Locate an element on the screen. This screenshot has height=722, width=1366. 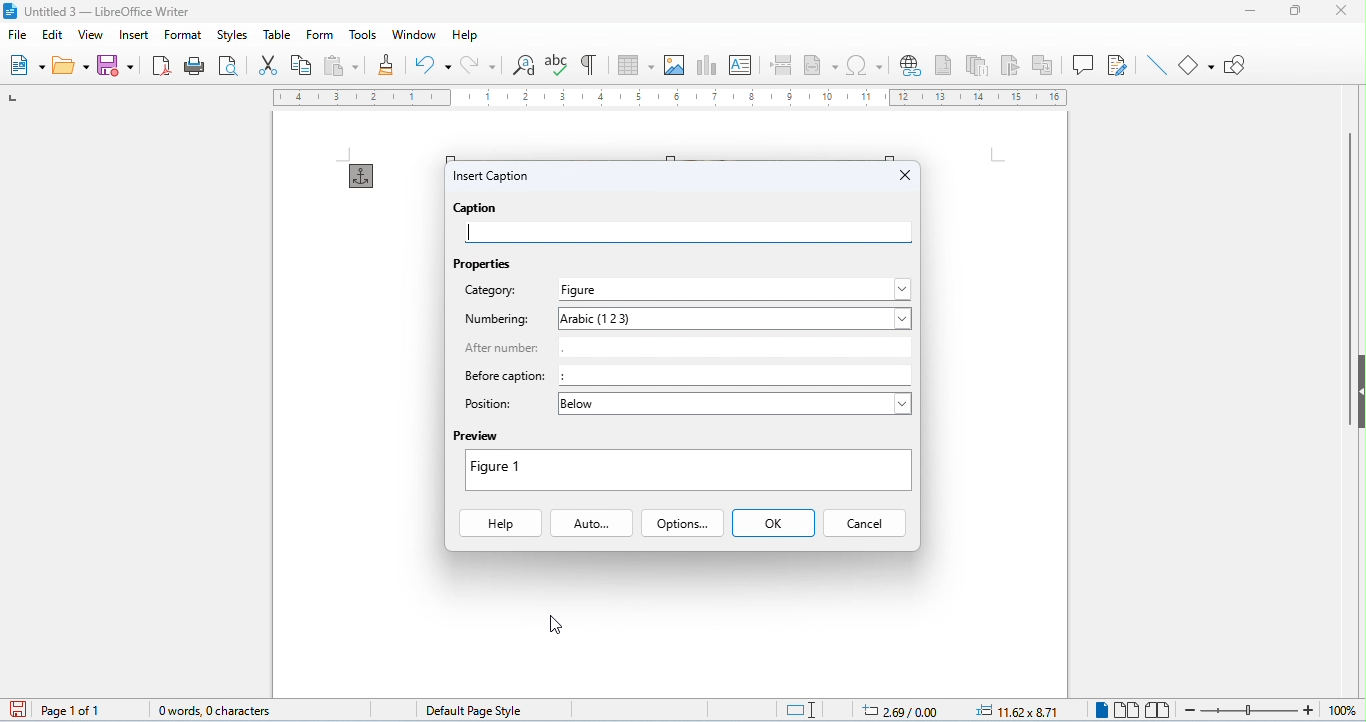
auto is located at coordinates (593, 523).